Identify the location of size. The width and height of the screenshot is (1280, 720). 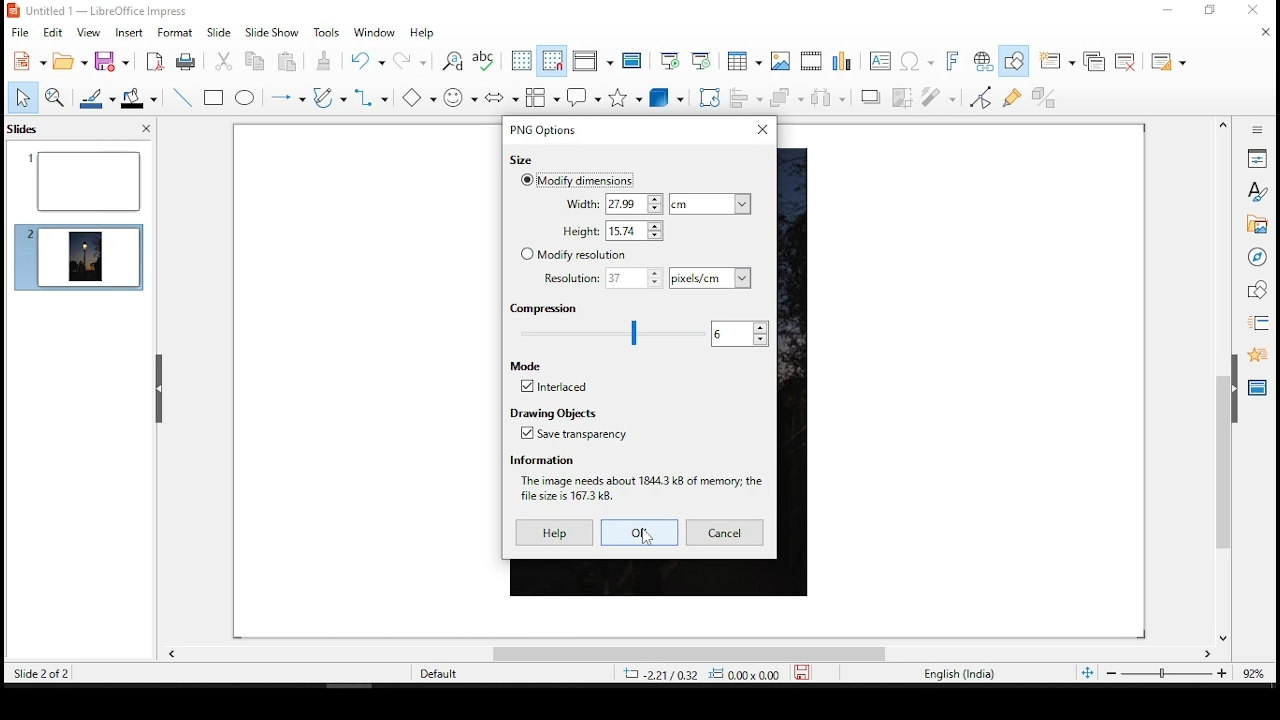
(520, 160).